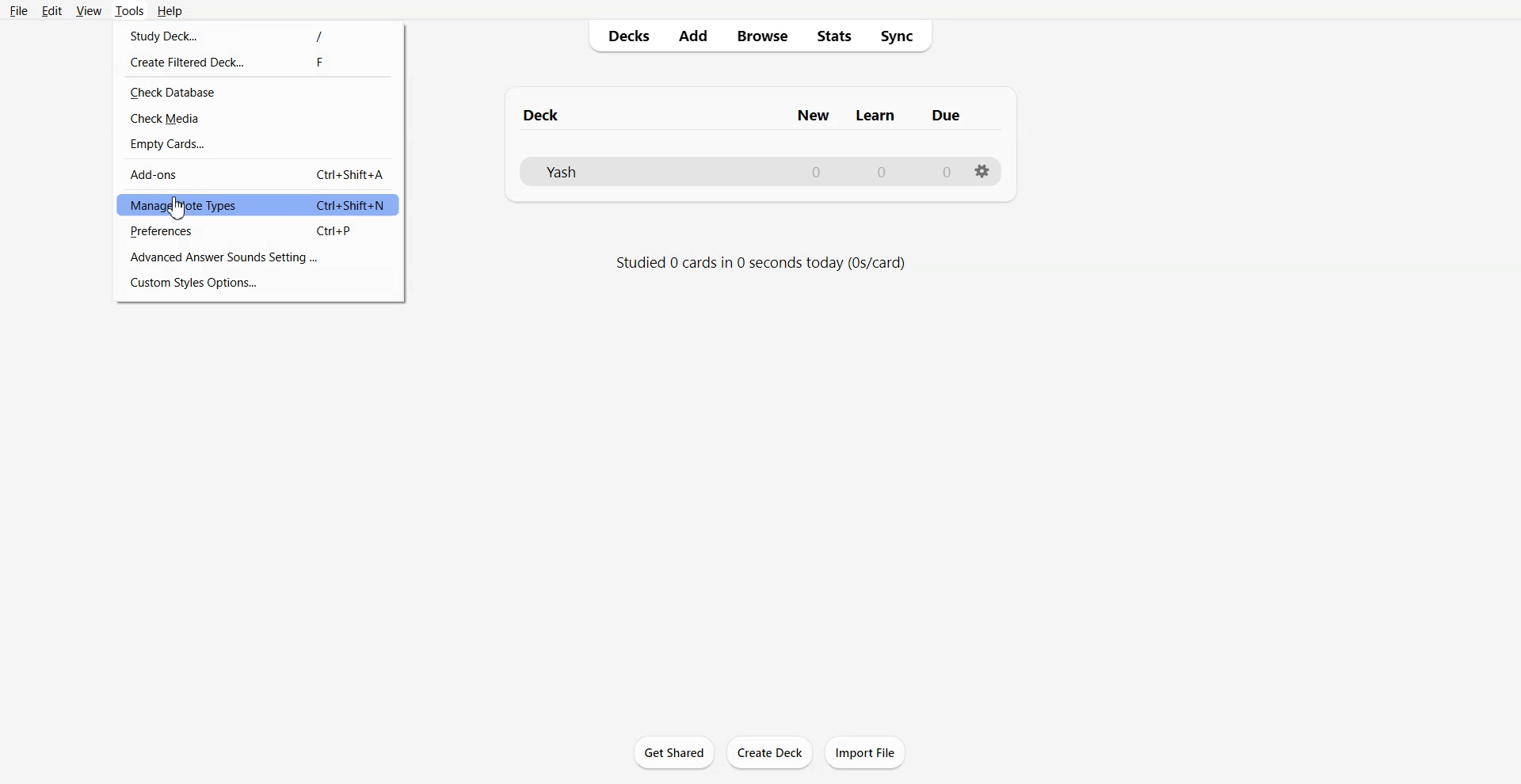 The image size is (1521, 784). What do you see at coordinates (255, 91) in the screenshot?
I see `Check Database` at bounding box center [255, 91].